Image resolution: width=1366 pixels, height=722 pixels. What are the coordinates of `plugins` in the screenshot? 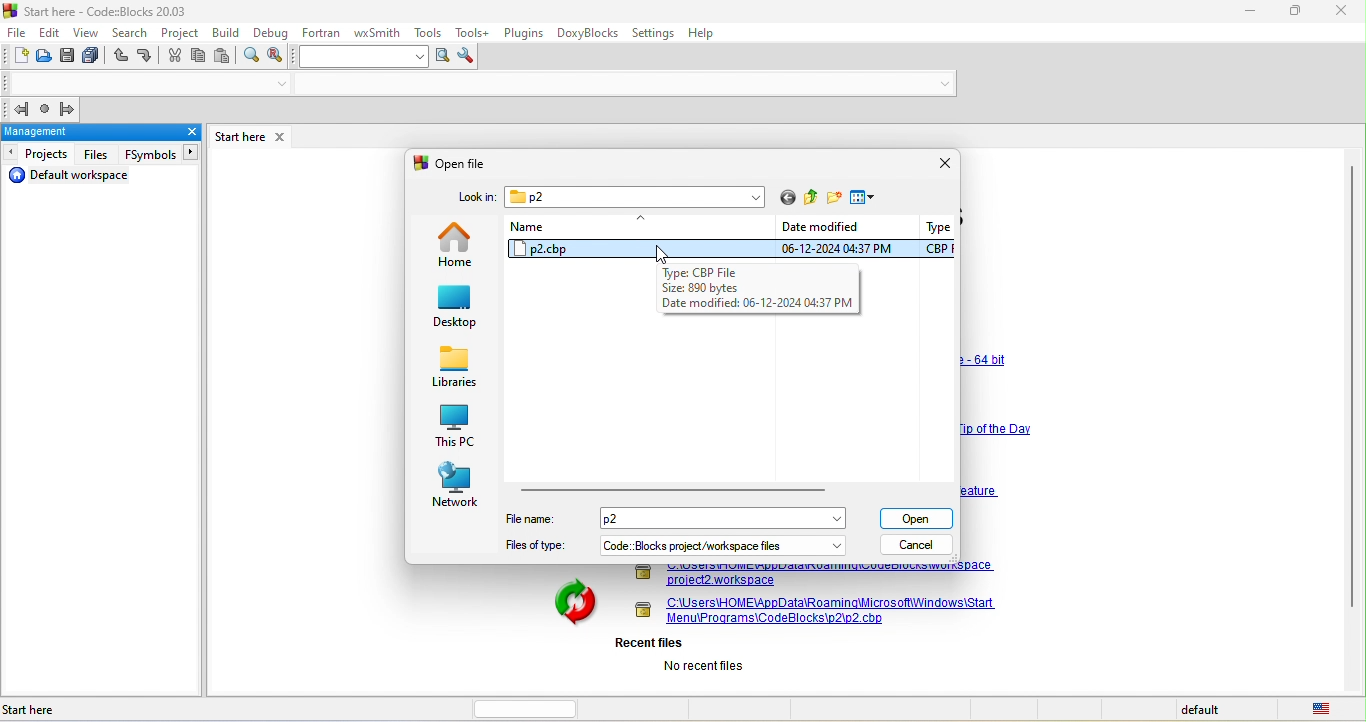 It's located at (524, 35).